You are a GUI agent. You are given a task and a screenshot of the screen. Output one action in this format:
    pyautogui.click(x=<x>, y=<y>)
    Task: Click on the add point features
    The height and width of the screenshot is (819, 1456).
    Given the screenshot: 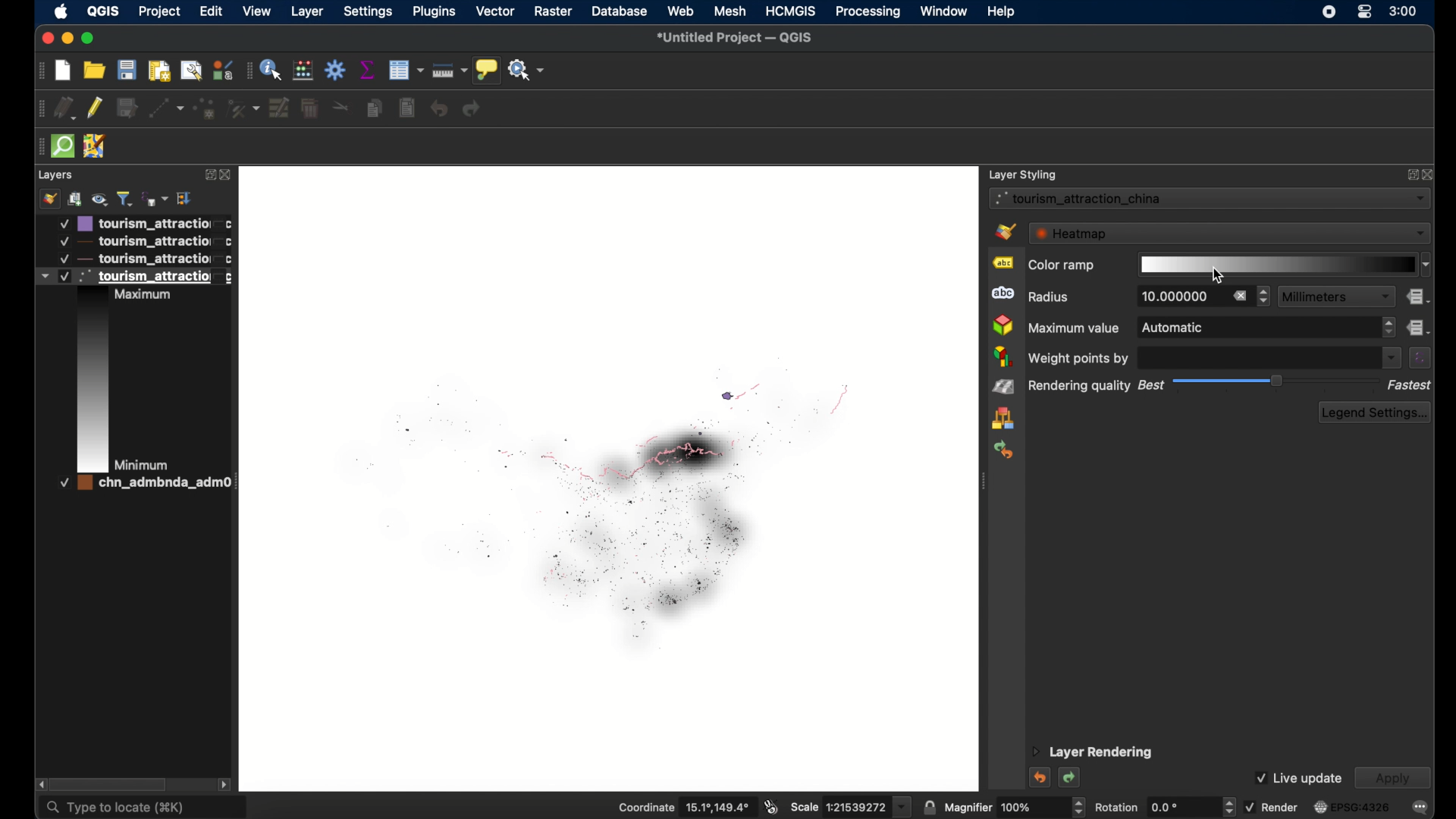 What is the action you would take?
    pyautogui.click(x=206, y=107)
    